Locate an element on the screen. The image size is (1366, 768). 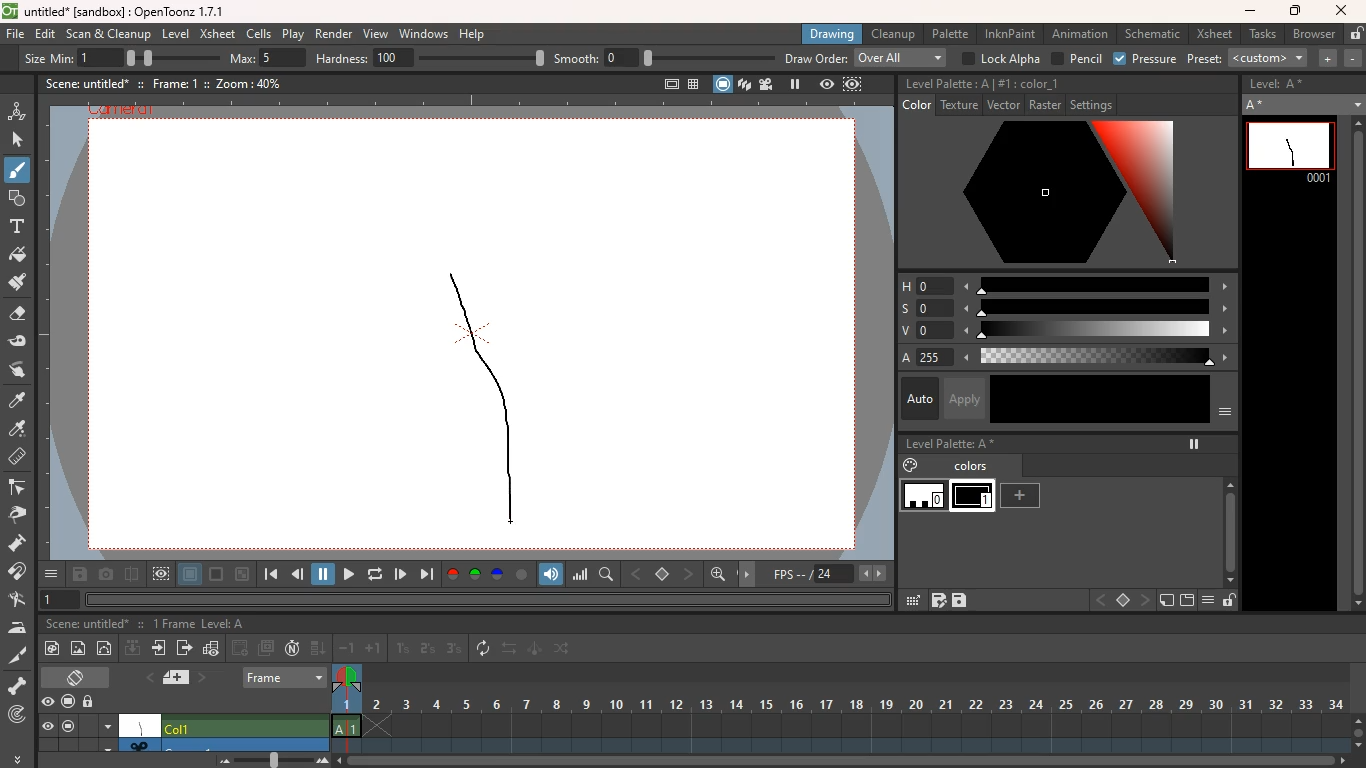
minimize is located at coordinates (242, 574).